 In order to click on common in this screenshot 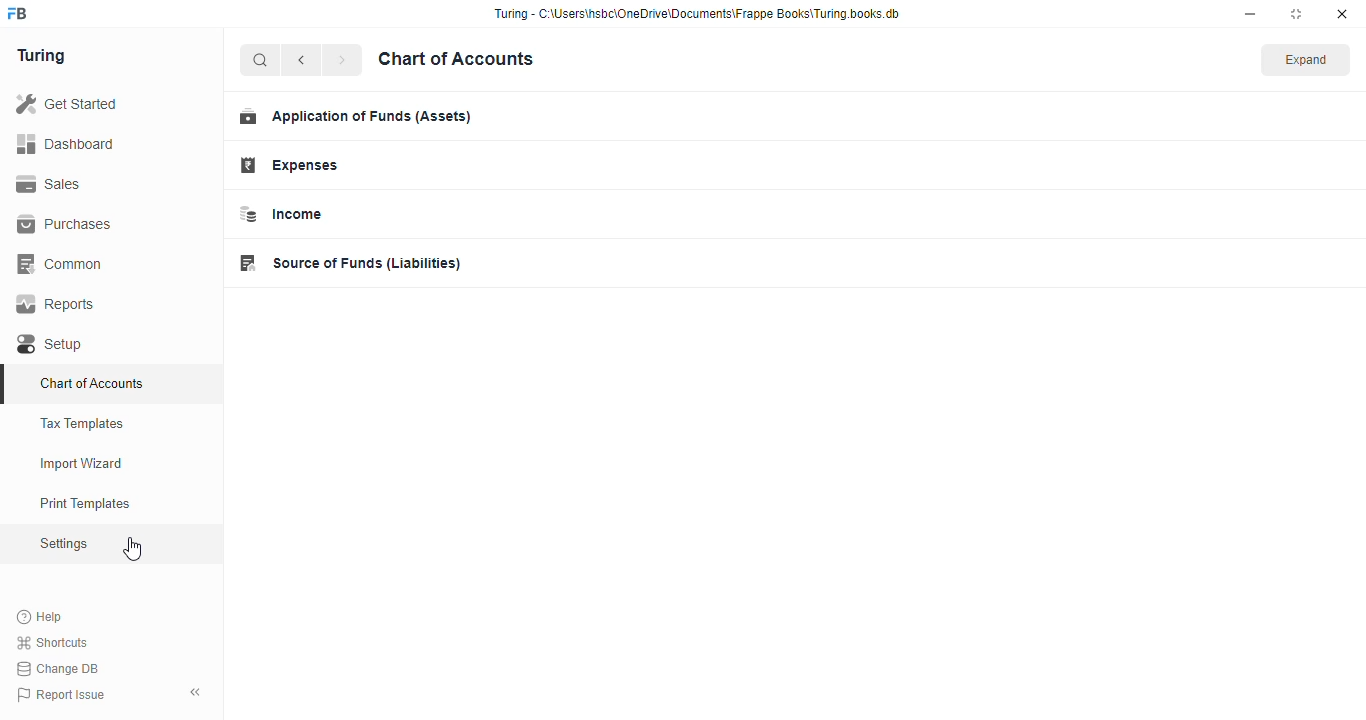, I will do `click(62, 264)`.